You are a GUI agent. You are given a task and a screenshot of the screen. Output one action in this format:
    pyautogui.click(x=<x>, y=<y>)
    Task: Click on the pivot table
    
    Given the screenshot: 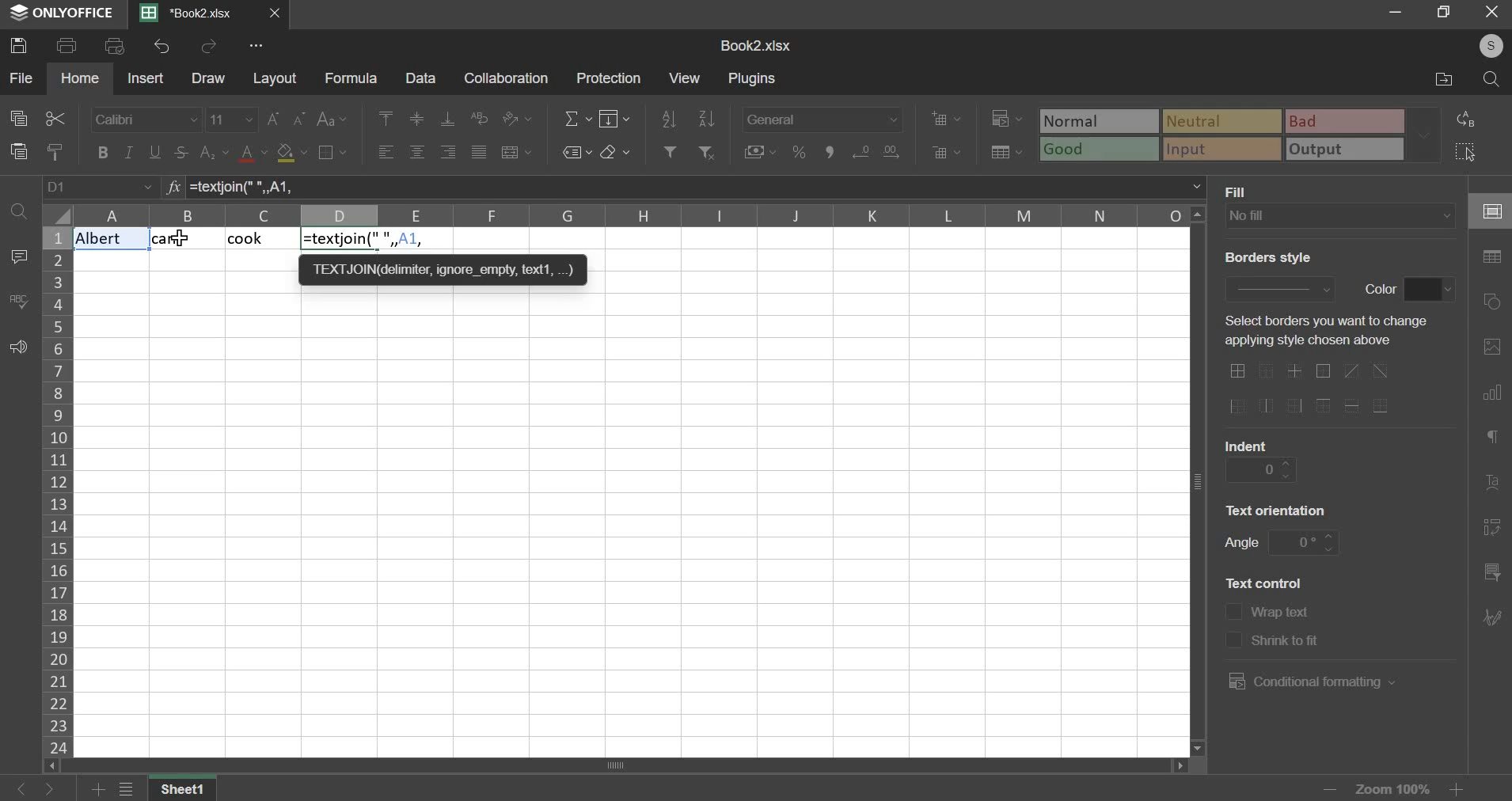 What is the action you would take?
    pyautogui.click(x=1492, y=529)
    